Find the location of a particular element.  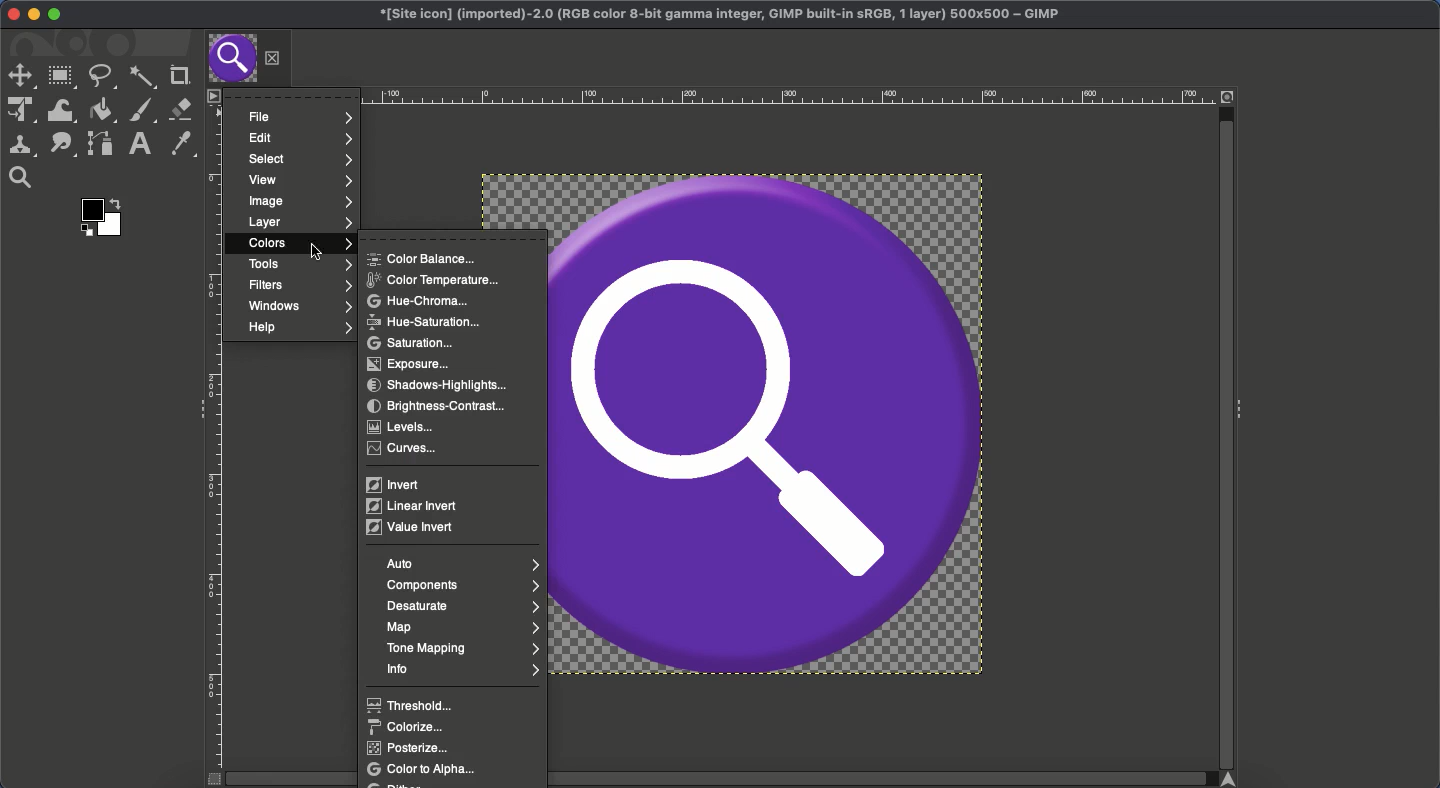

Fill color is located at coordinates (100, 111).